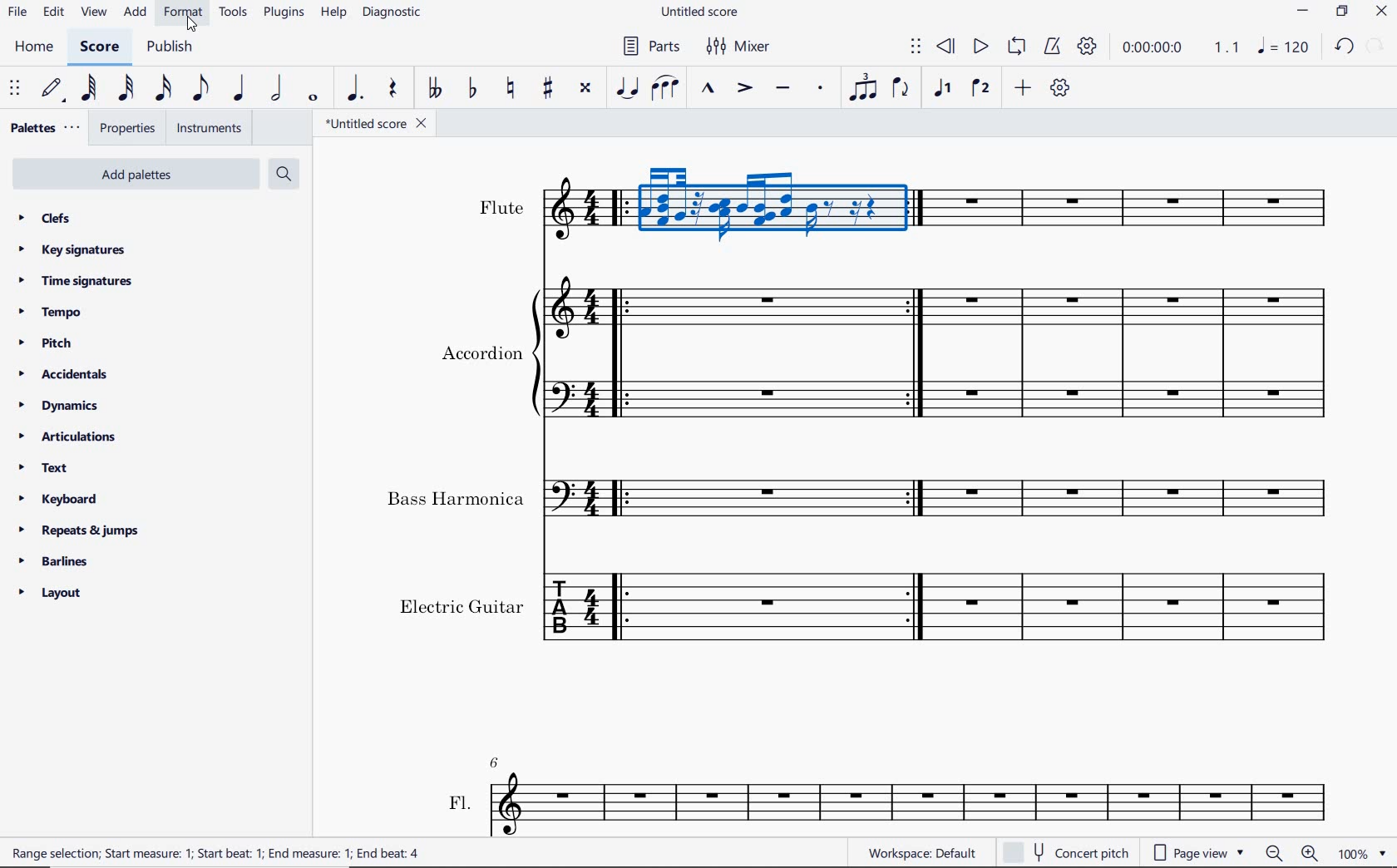 This screenshot has width=1397, height=868. What do you see at coordinates (1345, 46) in the screenshot?
I see `UNDO` at bounding box center [1345, 46].